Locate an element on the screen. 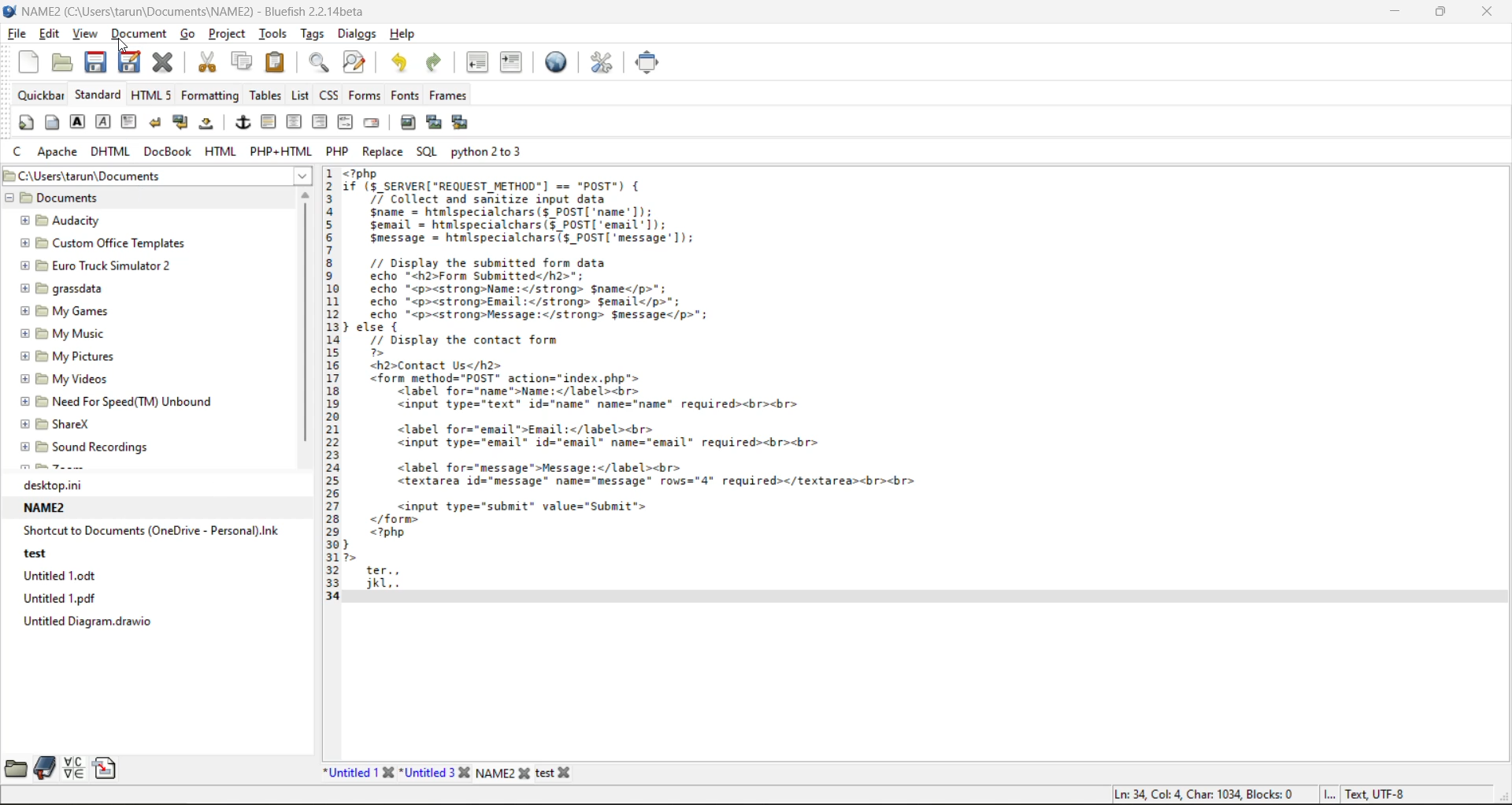  code editor is located at coordinates (641, 387).